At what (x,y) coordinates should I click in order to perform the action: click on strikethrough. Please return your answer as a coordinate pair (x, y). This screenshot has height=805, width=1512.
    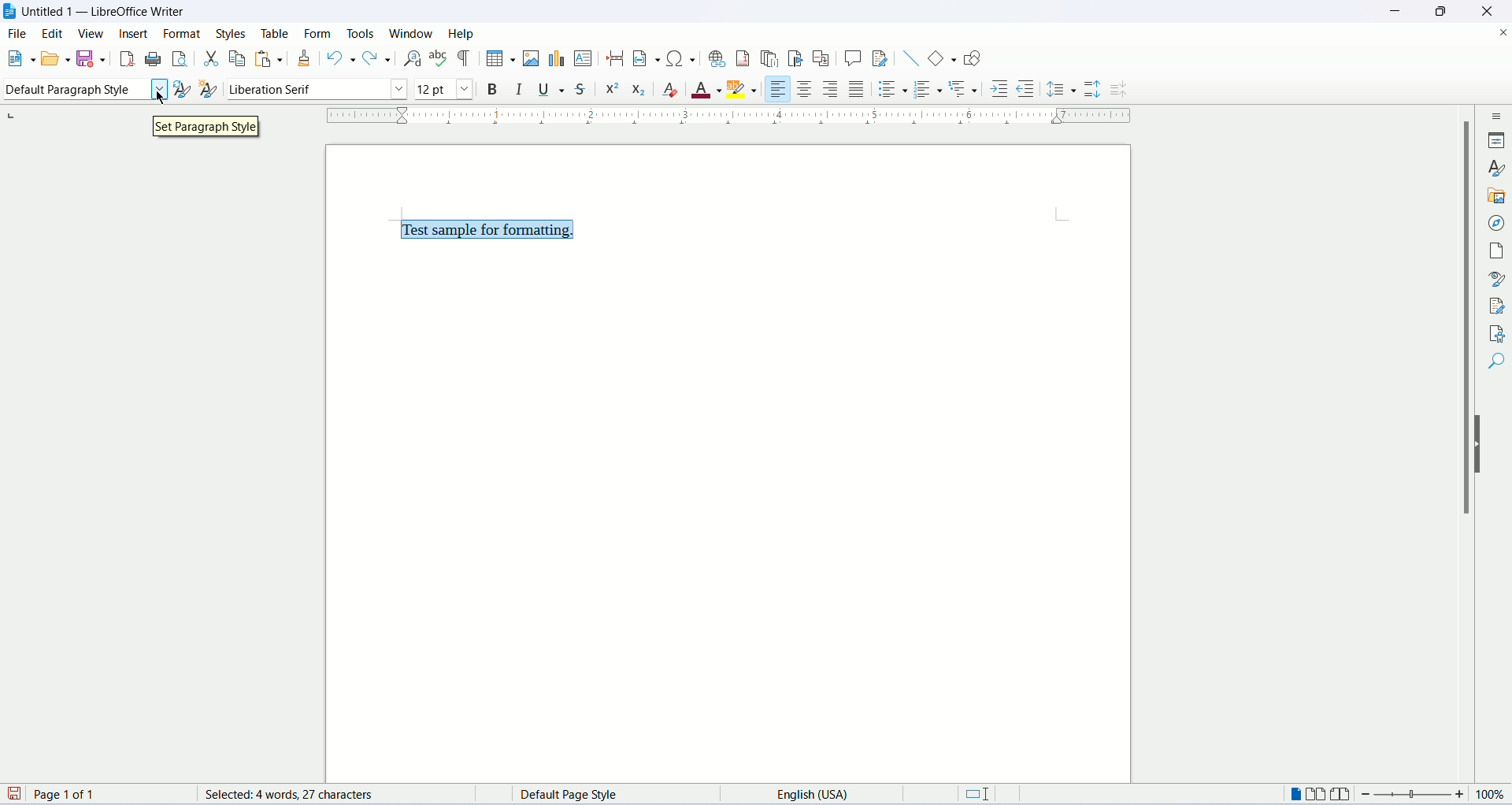
    Looking at the image, I should click on (584, 87).